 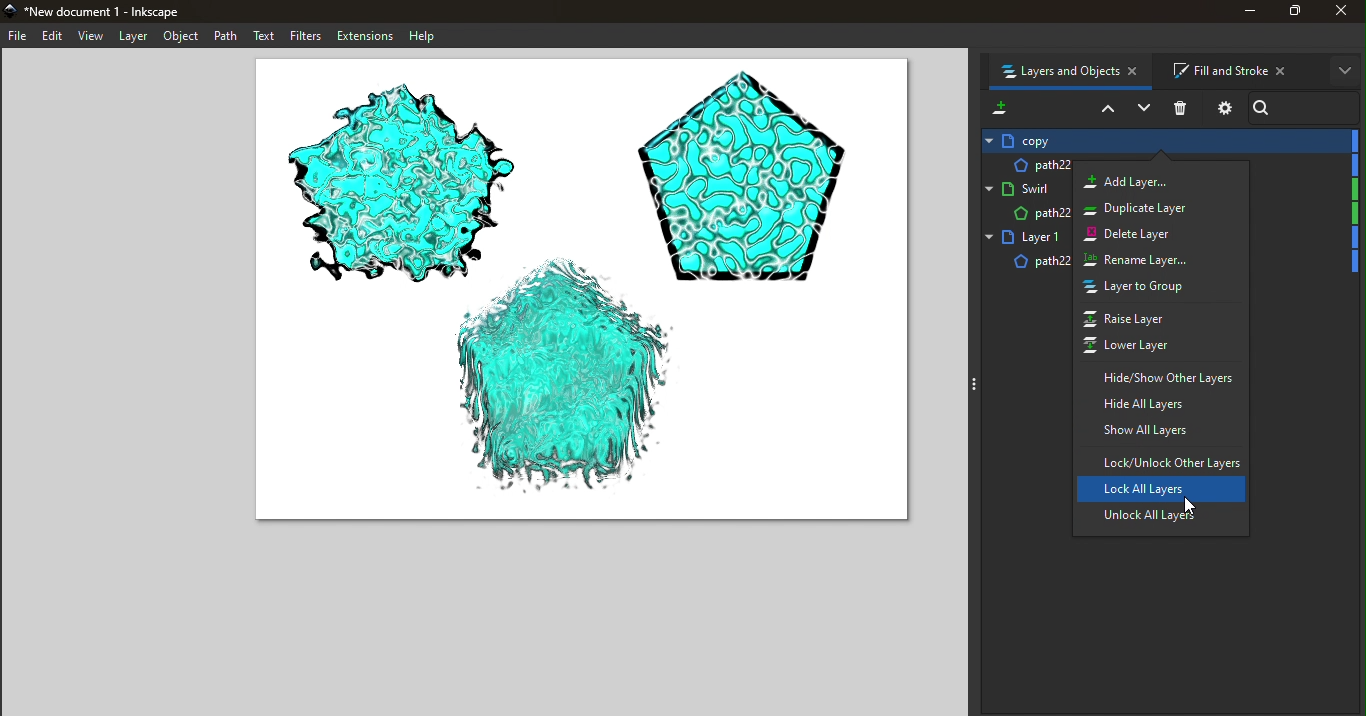 I want to click on cursor, so click(x=1189, y=503).